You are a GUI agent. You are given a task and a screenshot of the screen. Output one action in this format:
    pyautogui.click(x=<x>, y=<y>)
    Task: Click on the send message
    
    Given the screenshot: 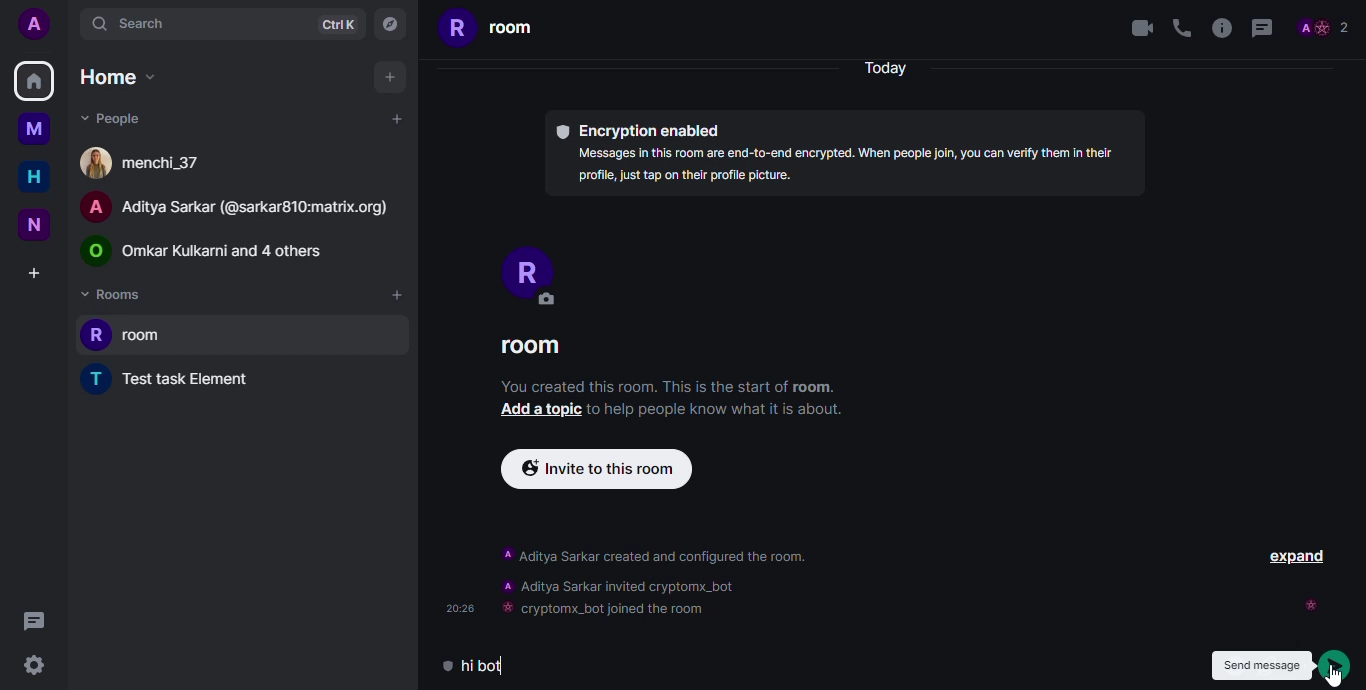 What is the action you would take?
    pyautogui.click(x=1263, y=665)
    